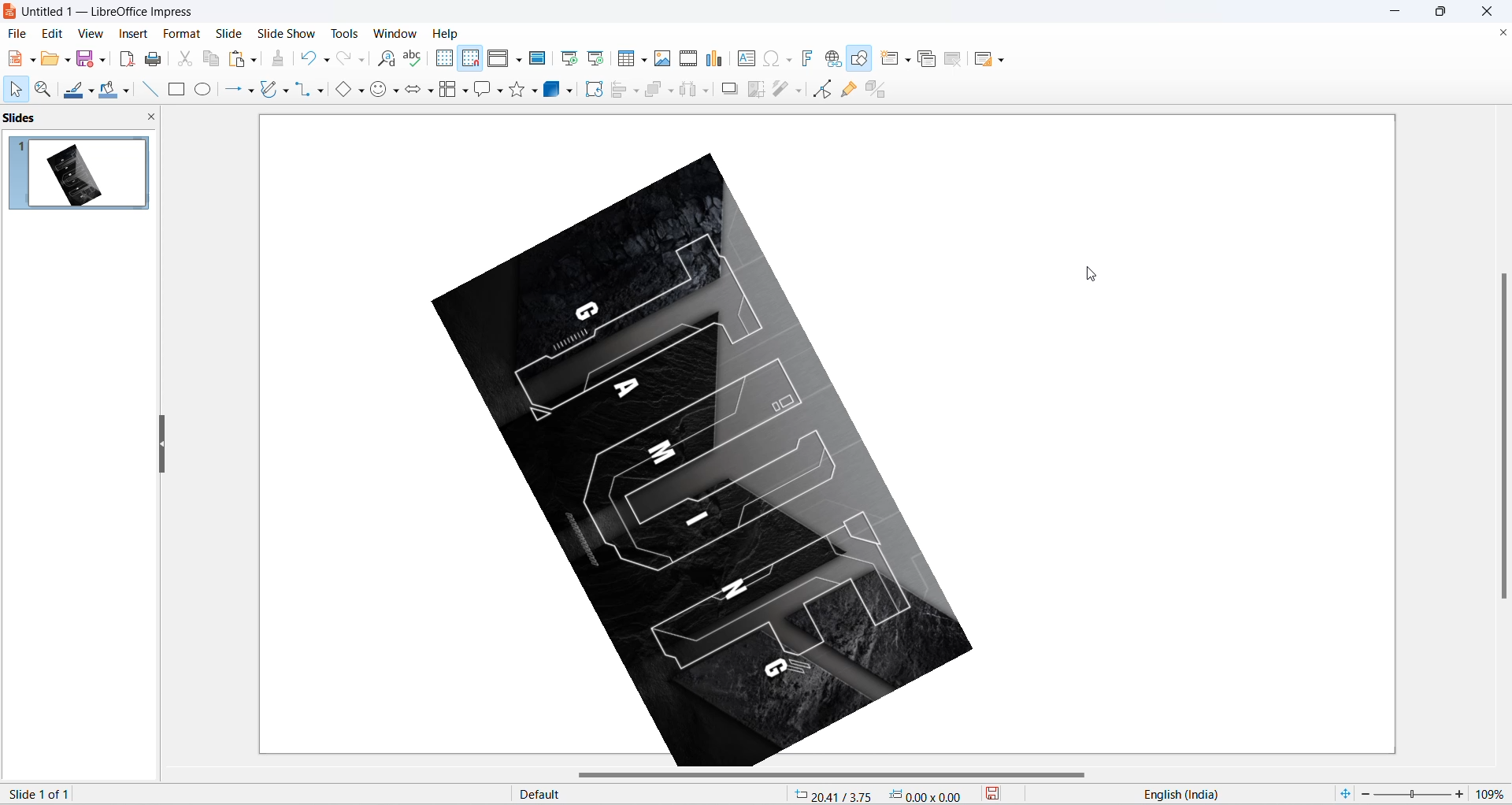 The width and height of the screenshot is (1512, 805). Describe the element at coordinates (598, 57) in the screenshot. I see `start at current slide` at that location.